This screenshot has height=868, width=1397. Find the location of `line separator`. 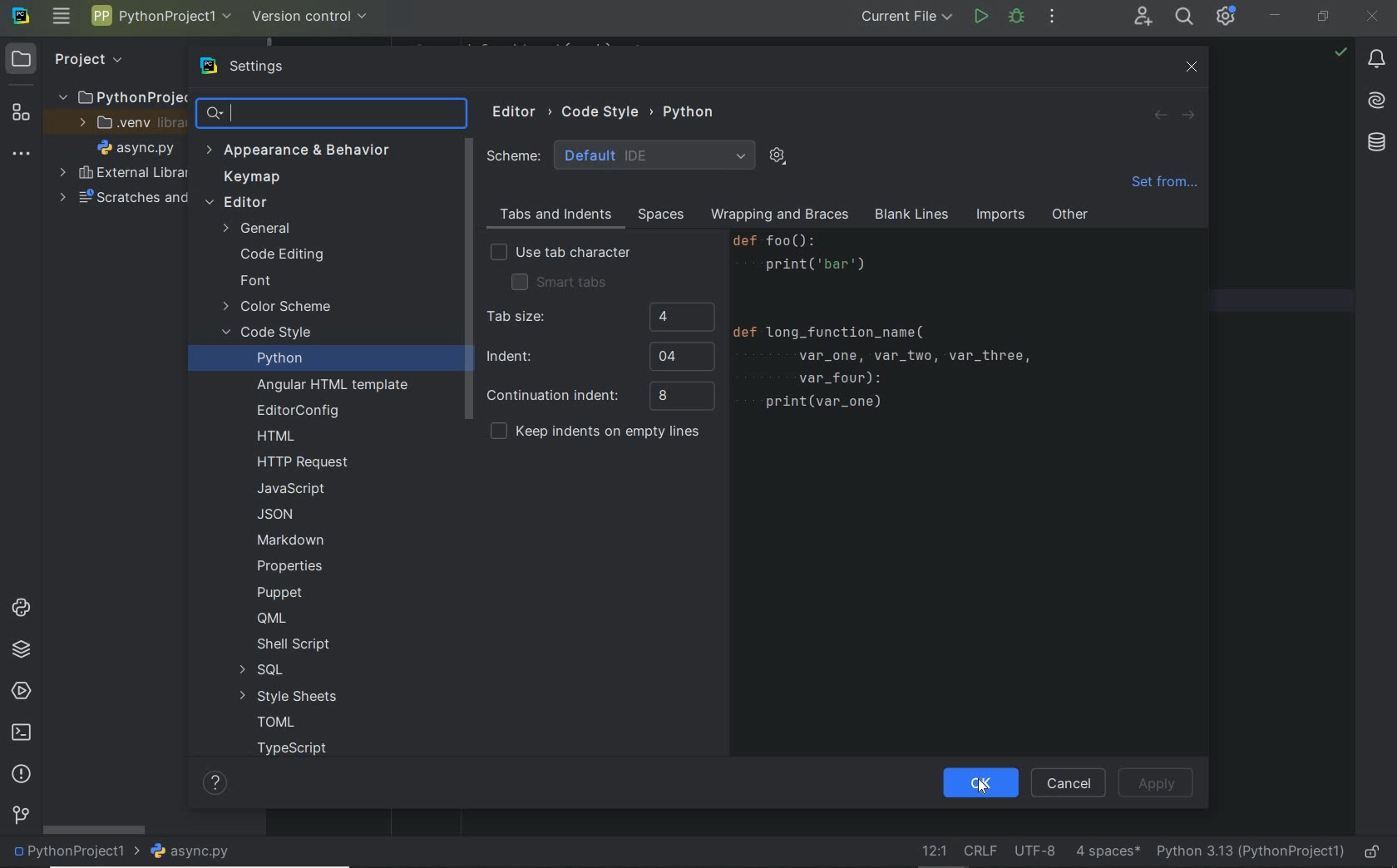

line separator is located at coordinates (983, 849).